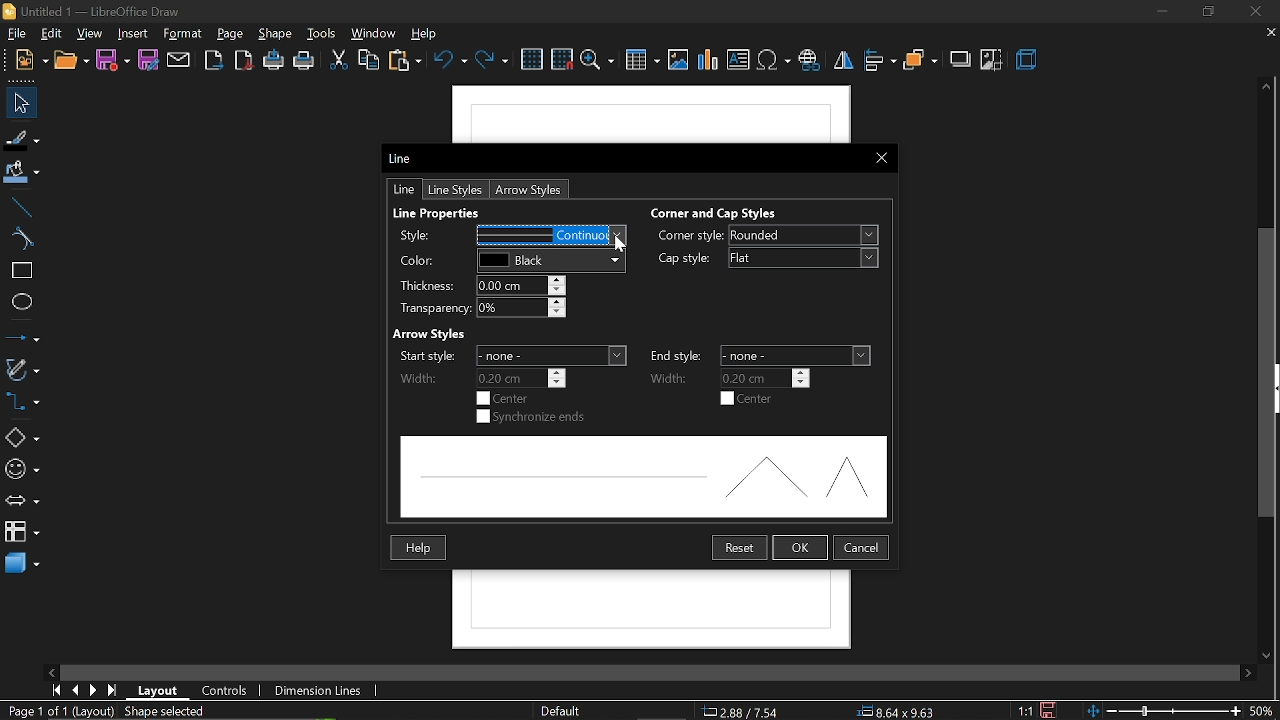 Image resolution: width=1280 pixels, height=720 pixels. Describe the element at coordinates (406, 159) in the screenshot. I see `Line` at that location.